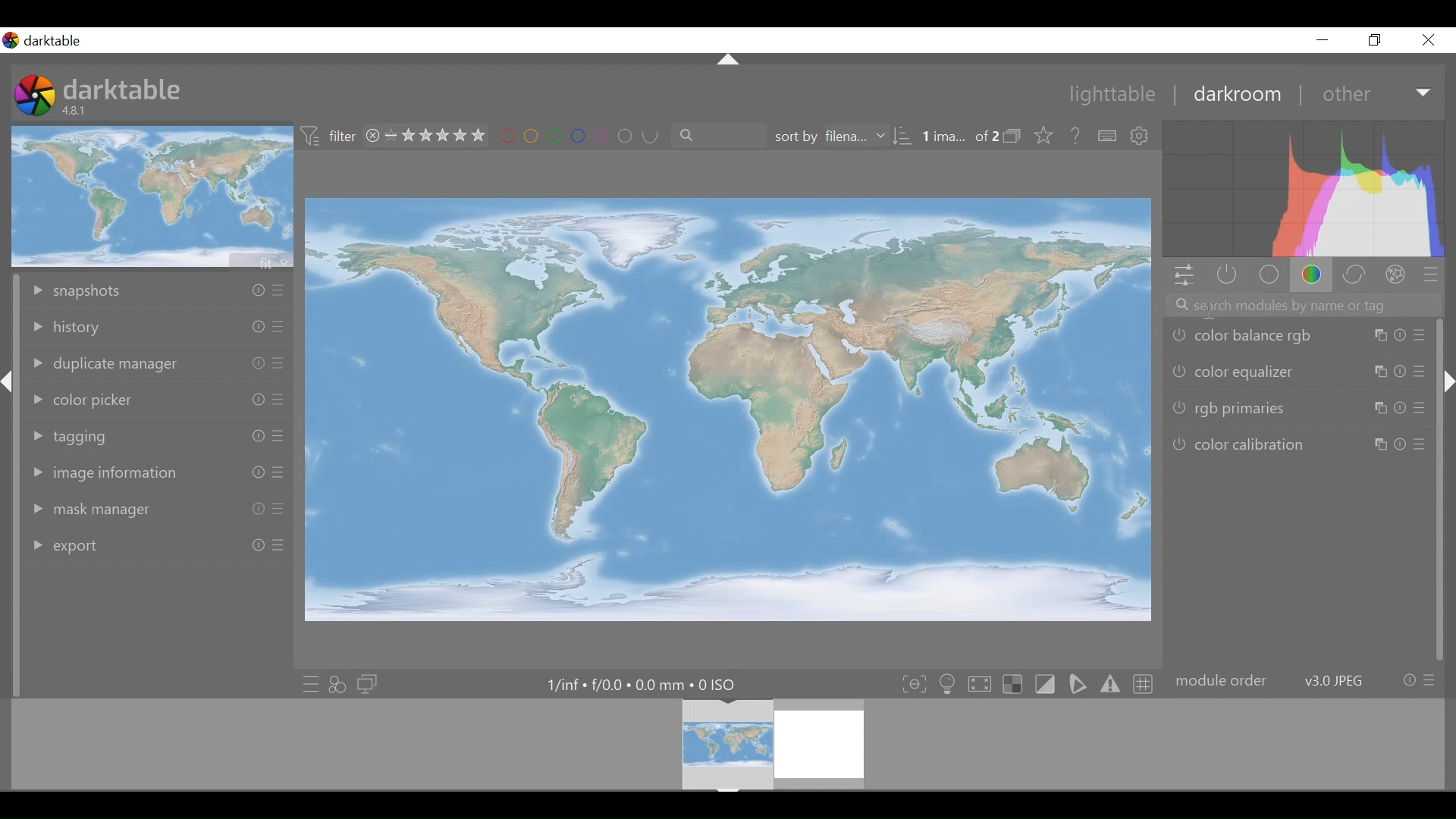  I want to click on Restore, so click(1379, 39).